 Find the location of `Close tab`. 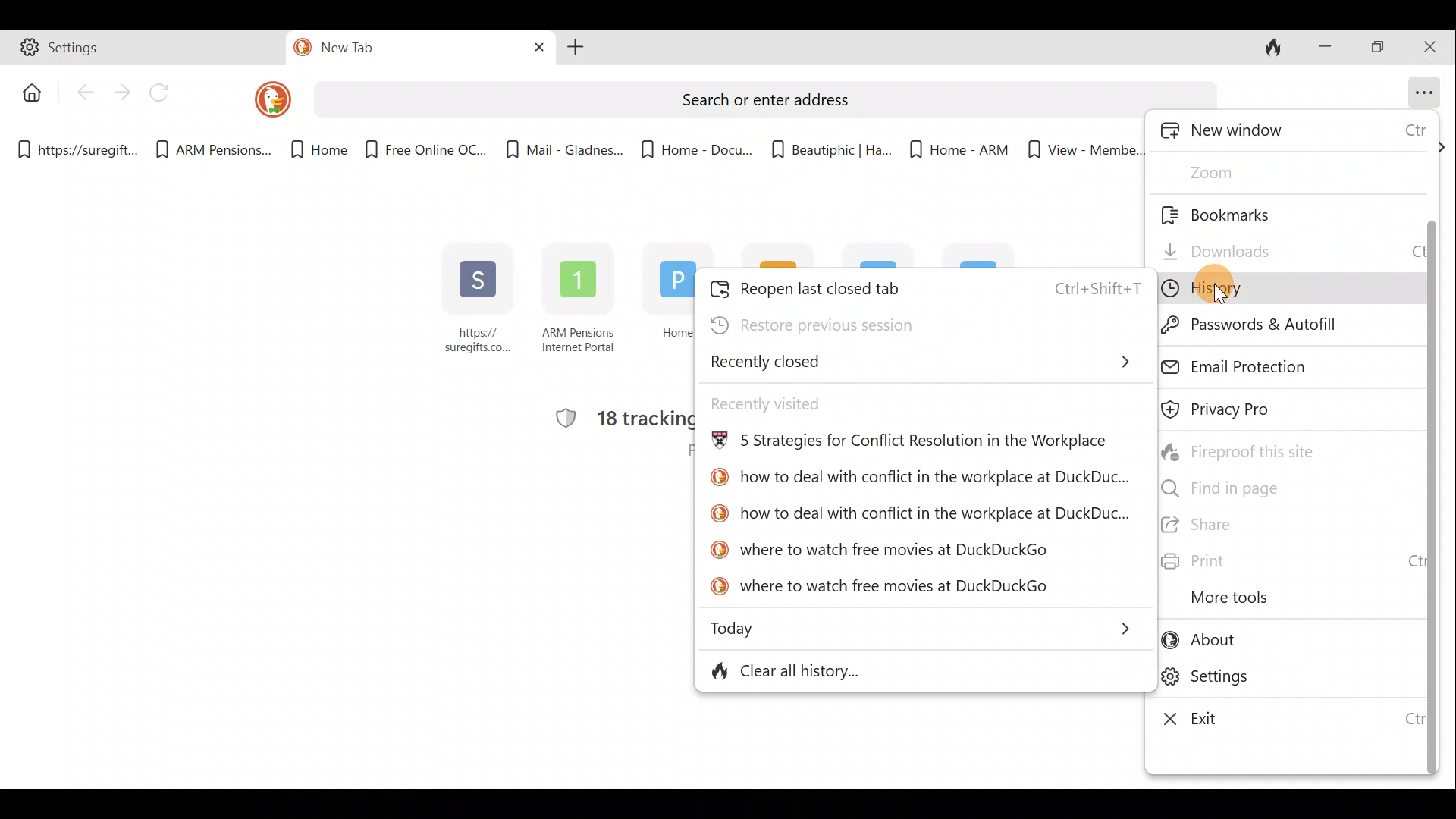

Close tab is located at coordinates (534, 48).